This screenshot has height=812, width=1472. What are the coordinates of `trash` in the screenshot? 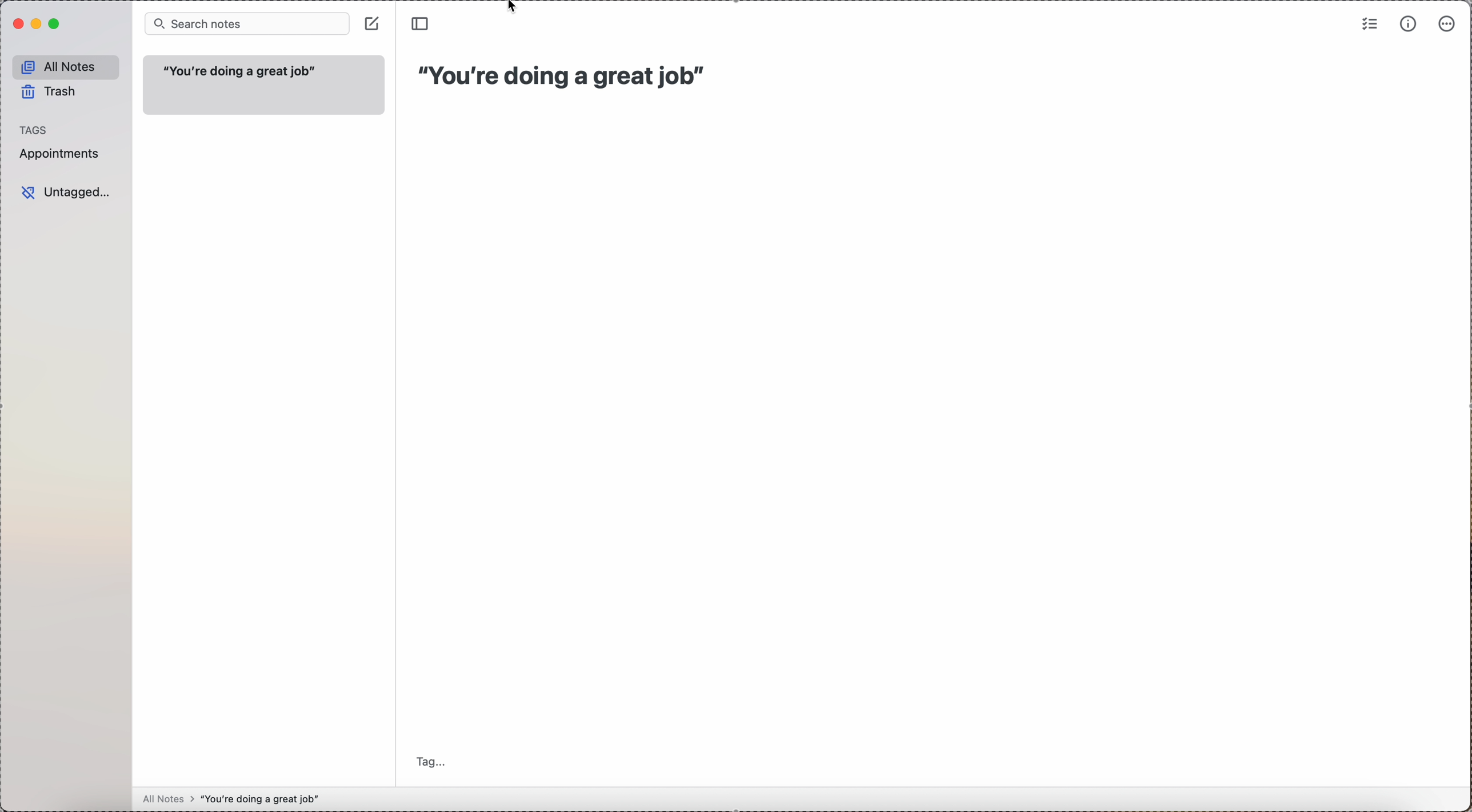 It's located at (51, 94).